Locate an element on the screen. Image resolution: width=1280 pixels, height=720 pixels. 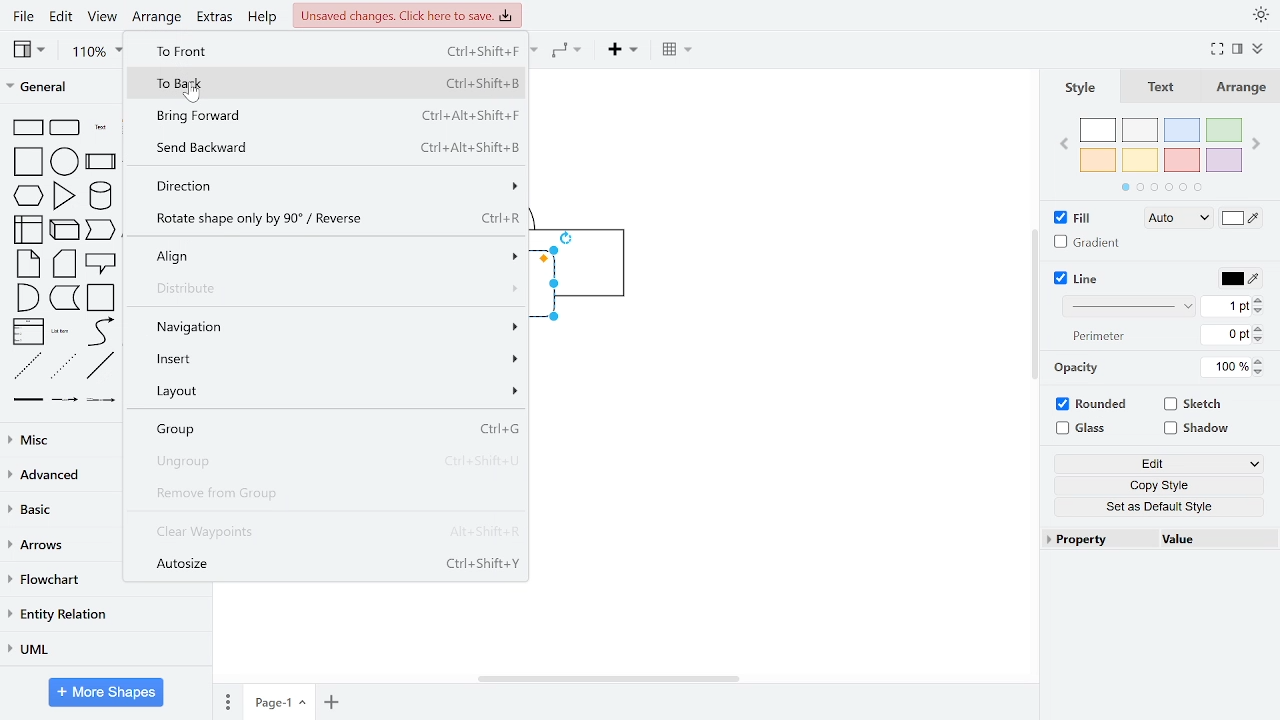
pages is located at coordinates (227, 698).